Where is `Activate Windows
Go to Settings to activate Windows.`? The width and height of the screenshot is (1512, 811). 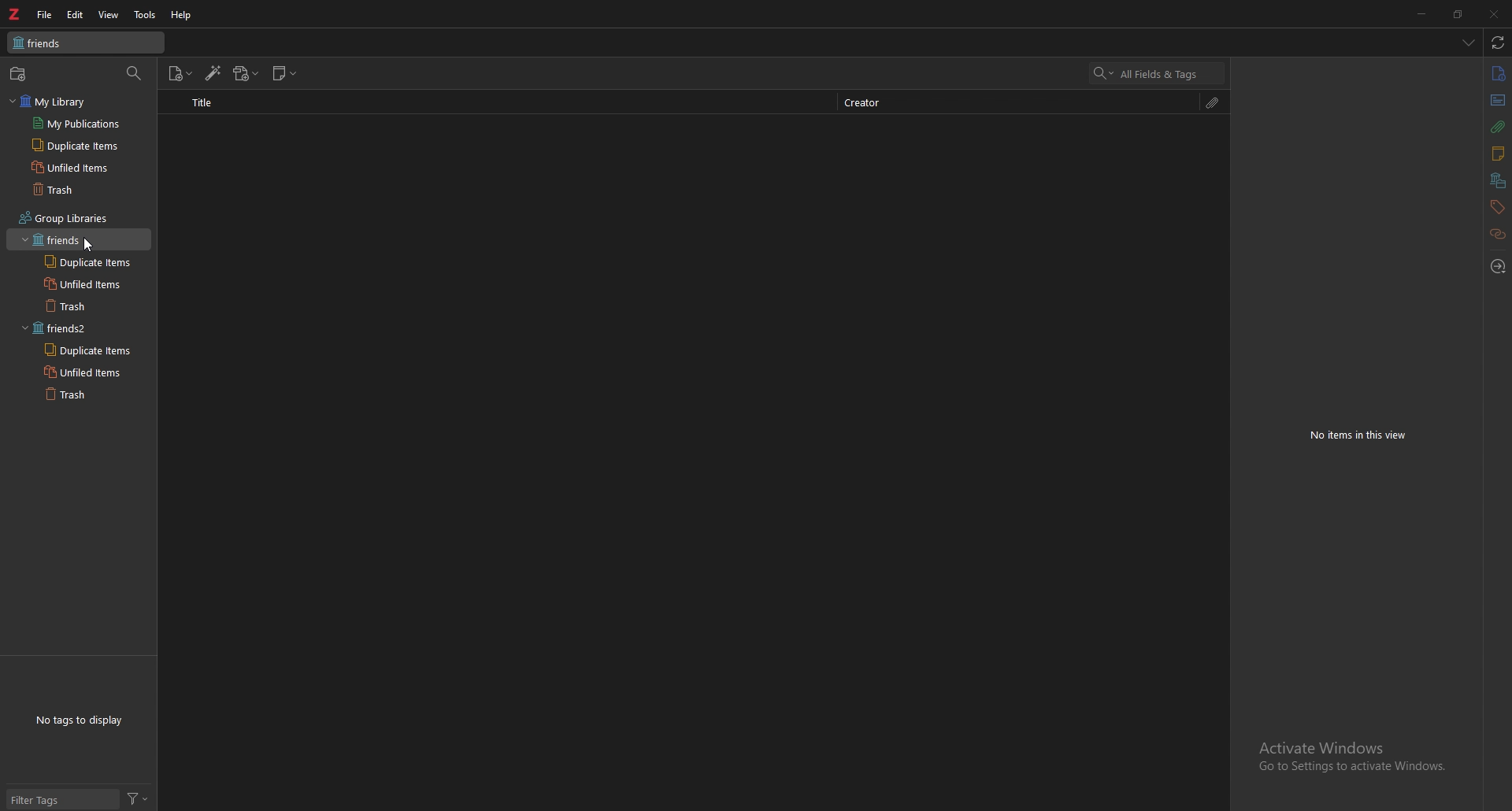 Activate Windows
Go to Settings to activate Windows. is located at coordinates (1352, 760).